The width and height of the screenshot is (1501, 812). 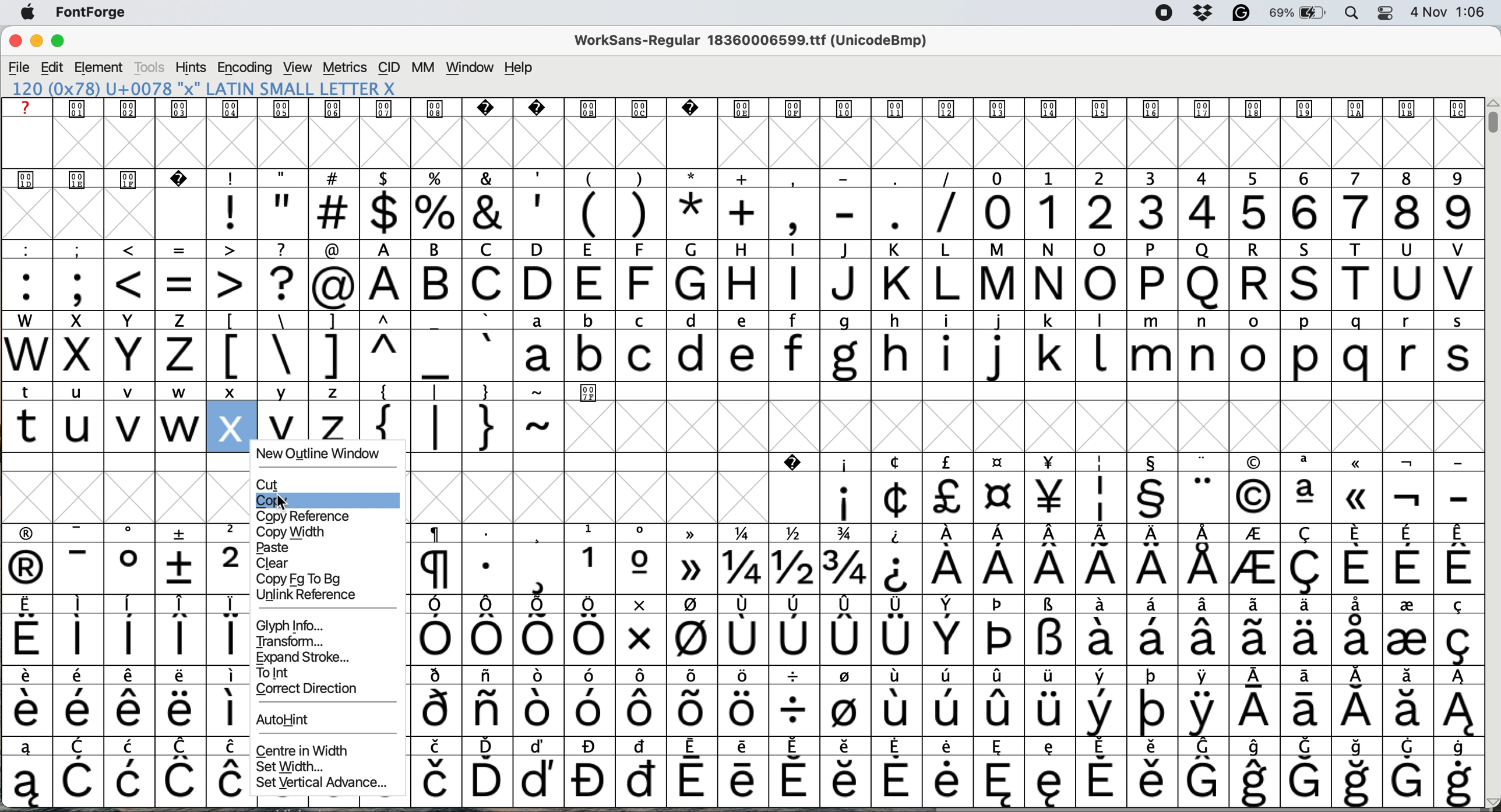 I want to click on spotlight search, so click(x=1352, y=14).